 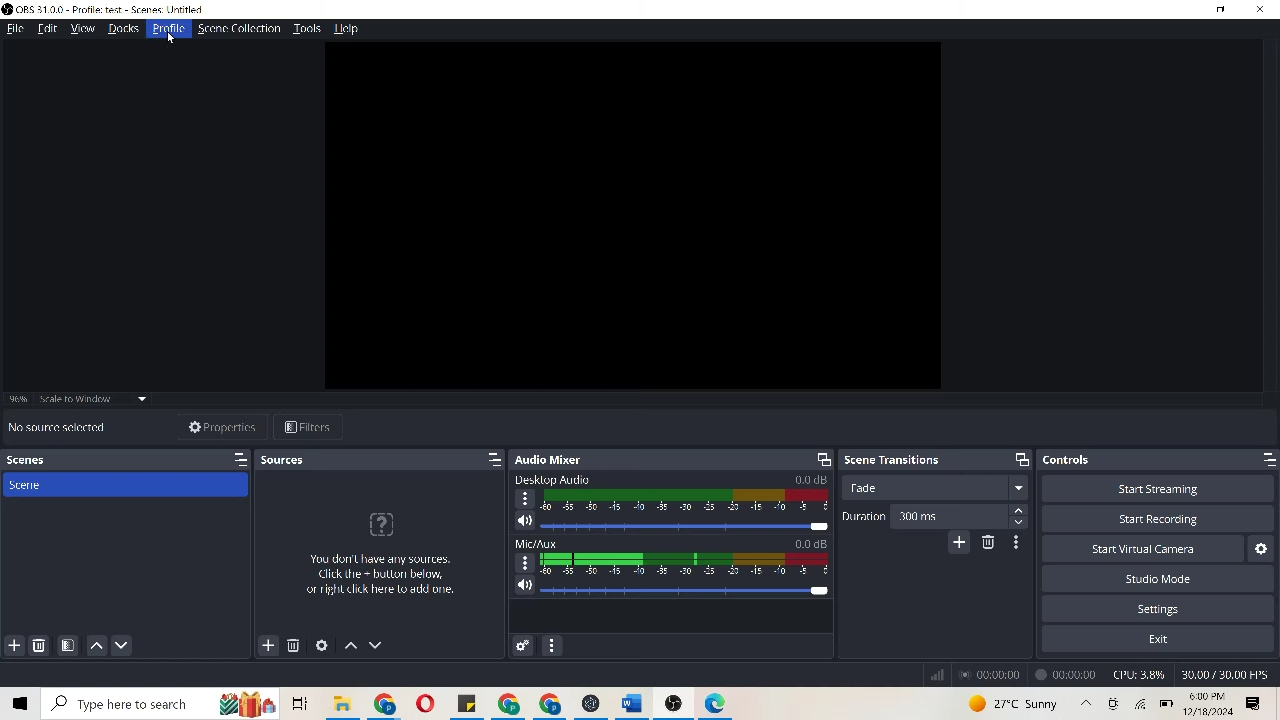 What do you see at coordinates (341, 703) in the screenshot?
I see `folder` at bounding box center [341, 703].